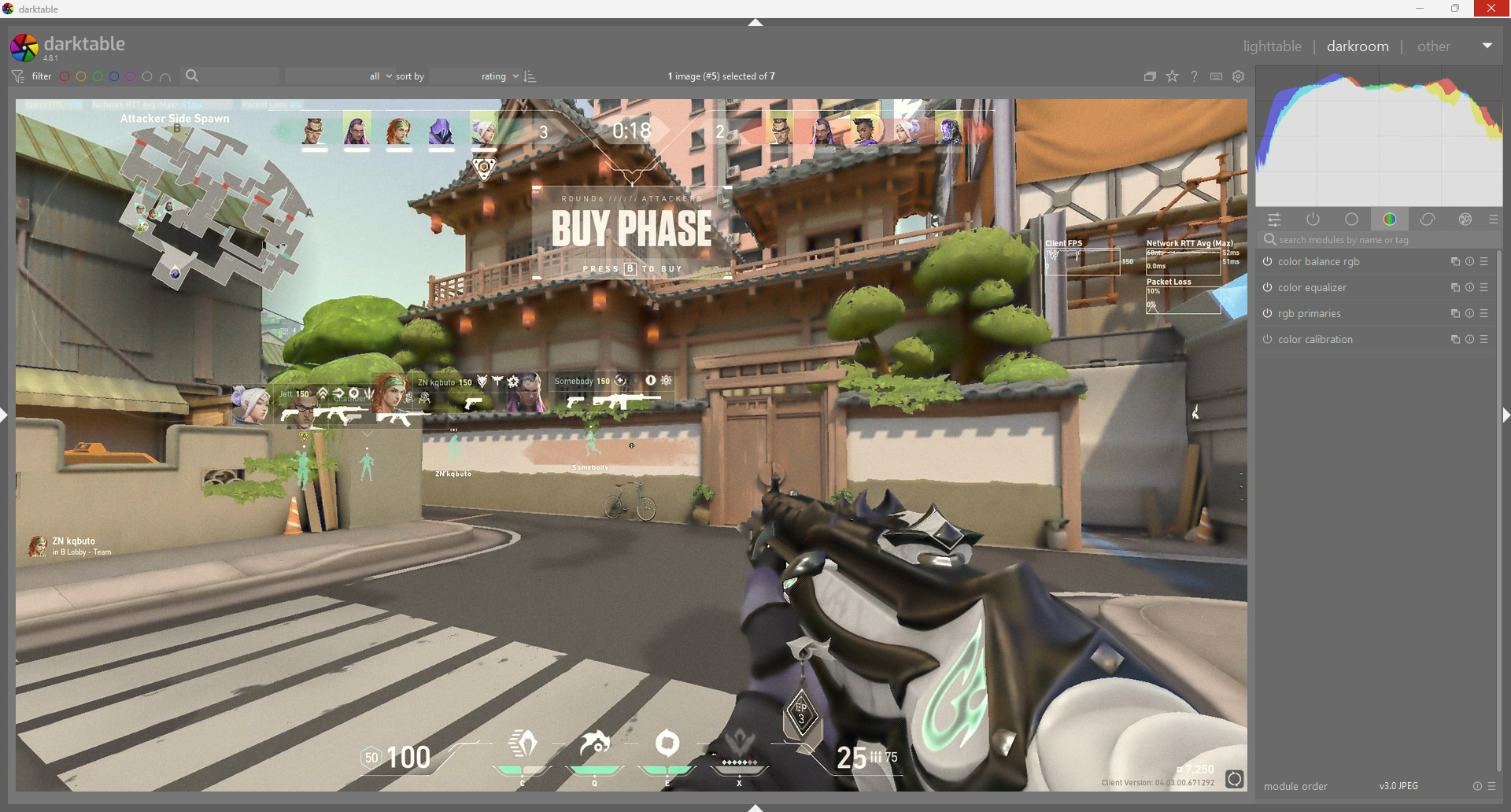  Describe the element at coordinates (1466, 220) in the screenshot. I see `effect` at that location.